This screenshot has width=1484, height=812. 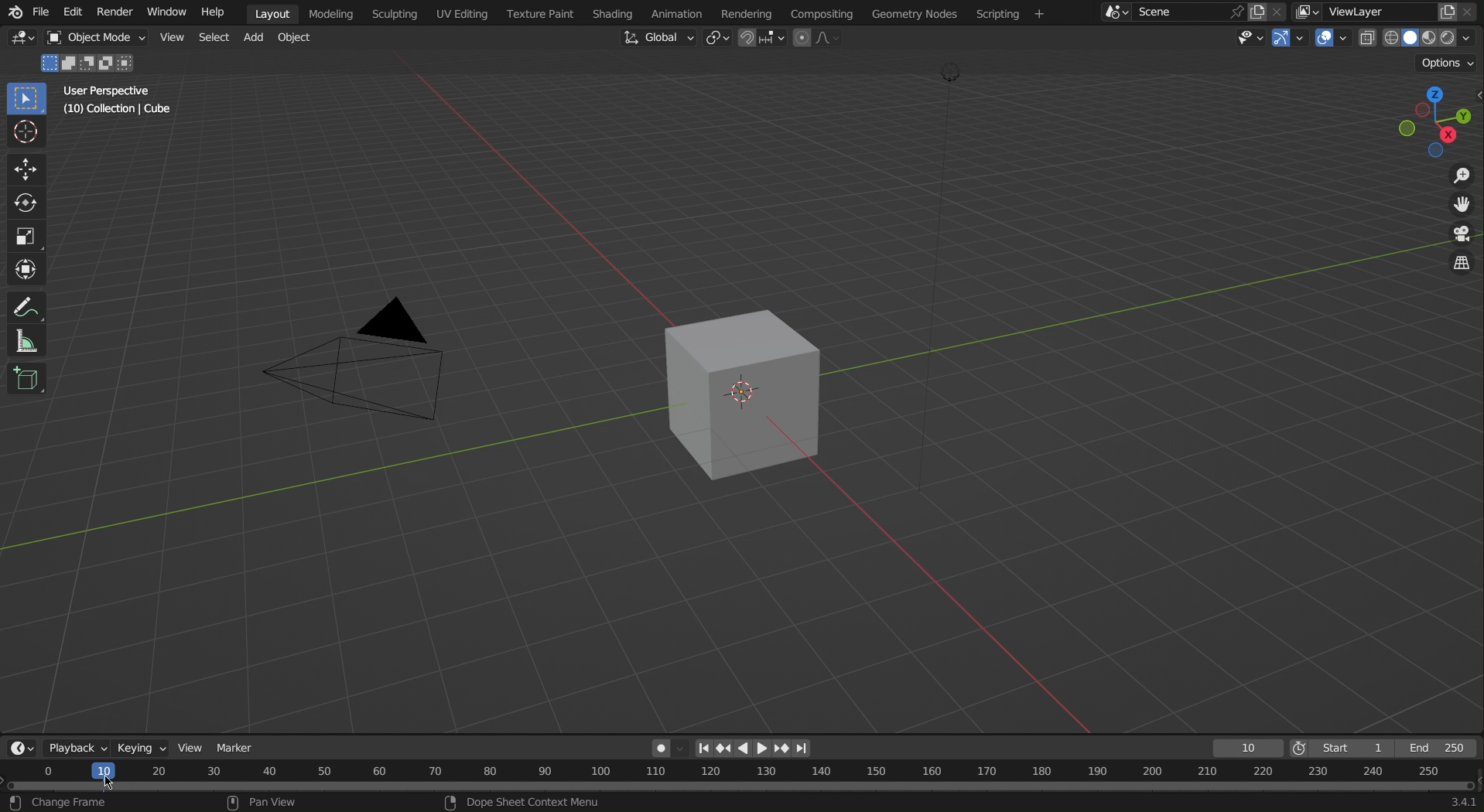 What do you see at coordinates (785, 749) in the screenshot?
I see `Next` at bounding box center [785, 749].